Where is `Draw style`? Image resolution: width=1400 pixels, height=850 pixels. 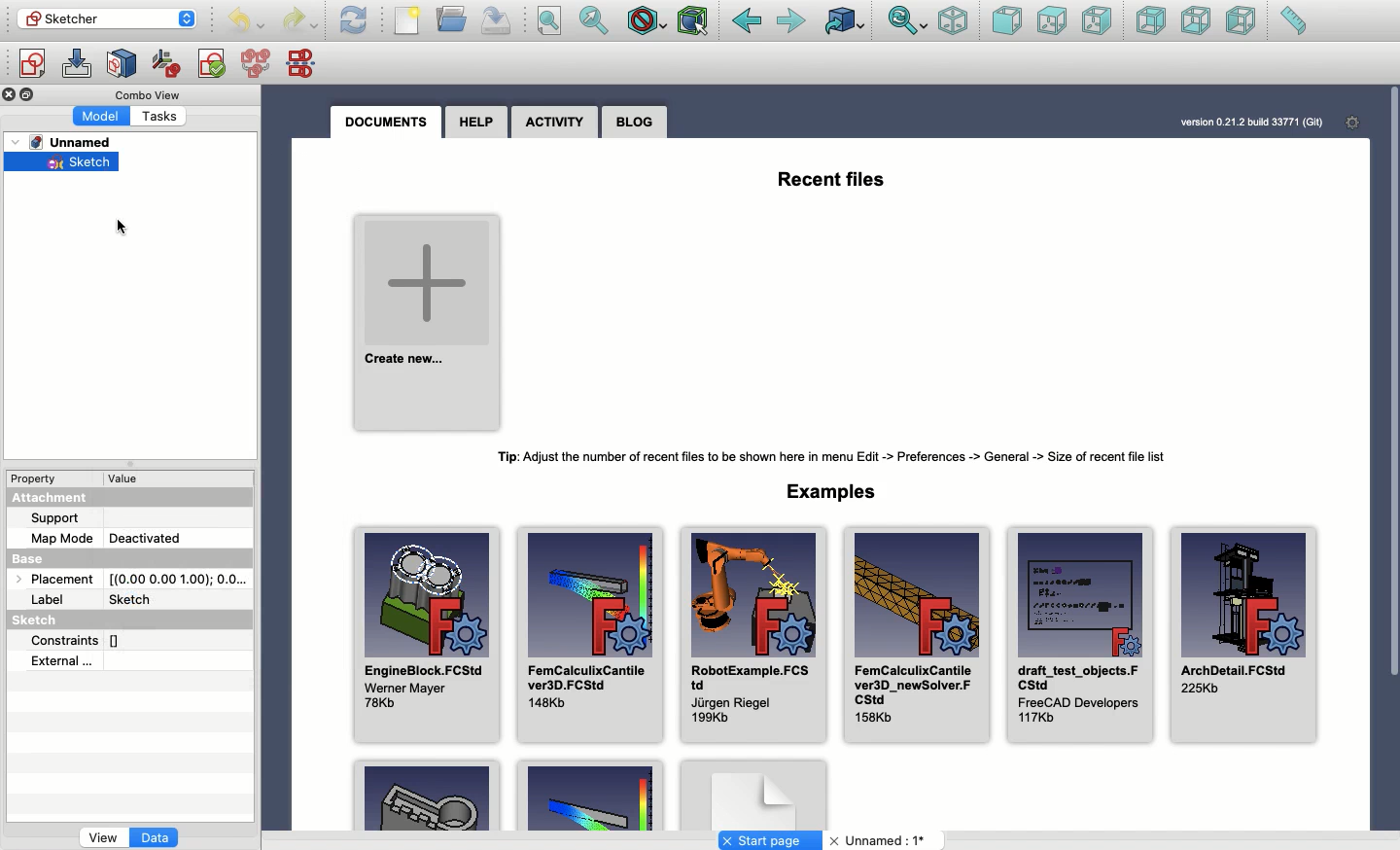 Draw style is located at coordinates (646, 23).